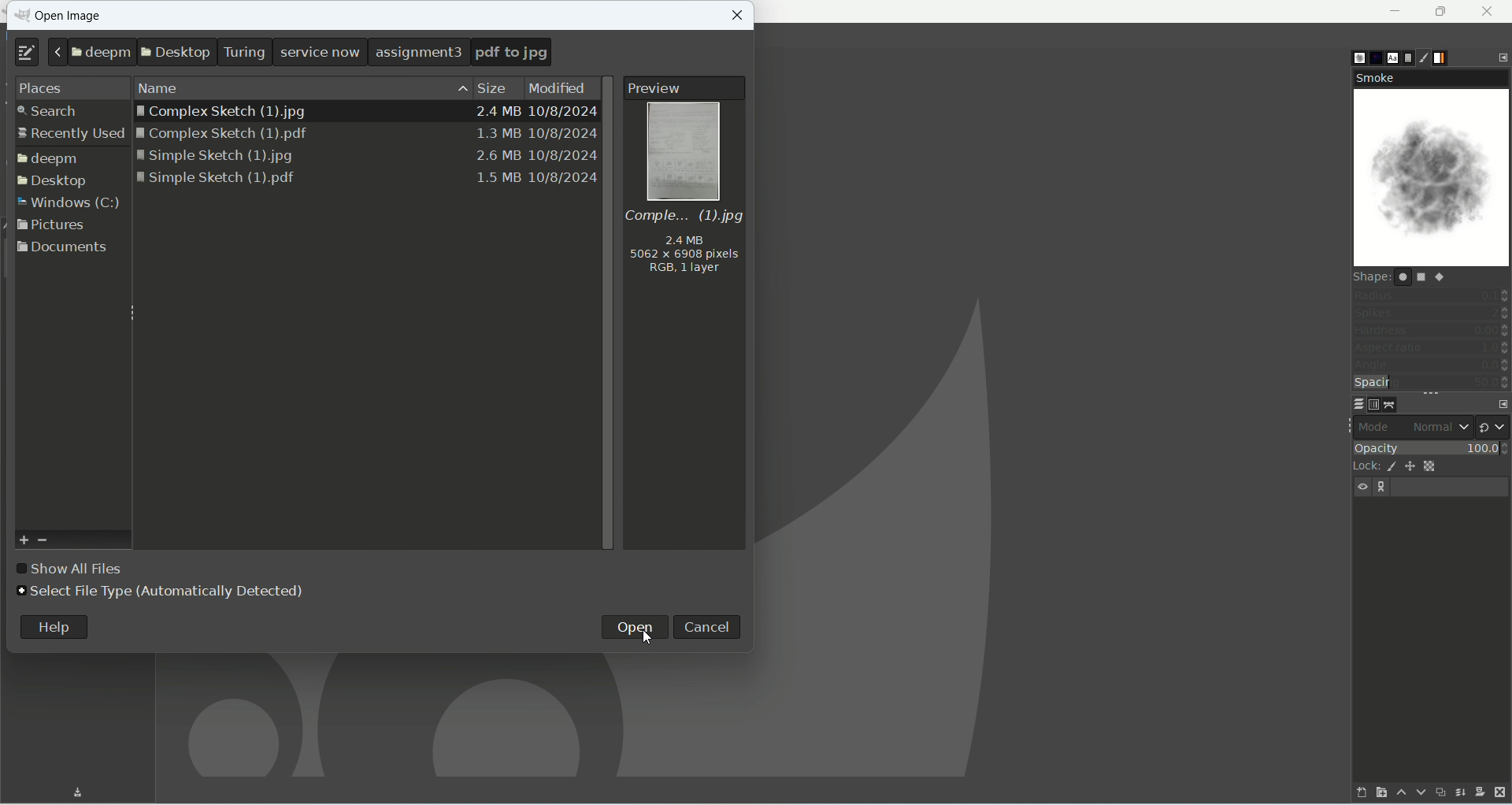  I want to click on remove, so click(46, 541).